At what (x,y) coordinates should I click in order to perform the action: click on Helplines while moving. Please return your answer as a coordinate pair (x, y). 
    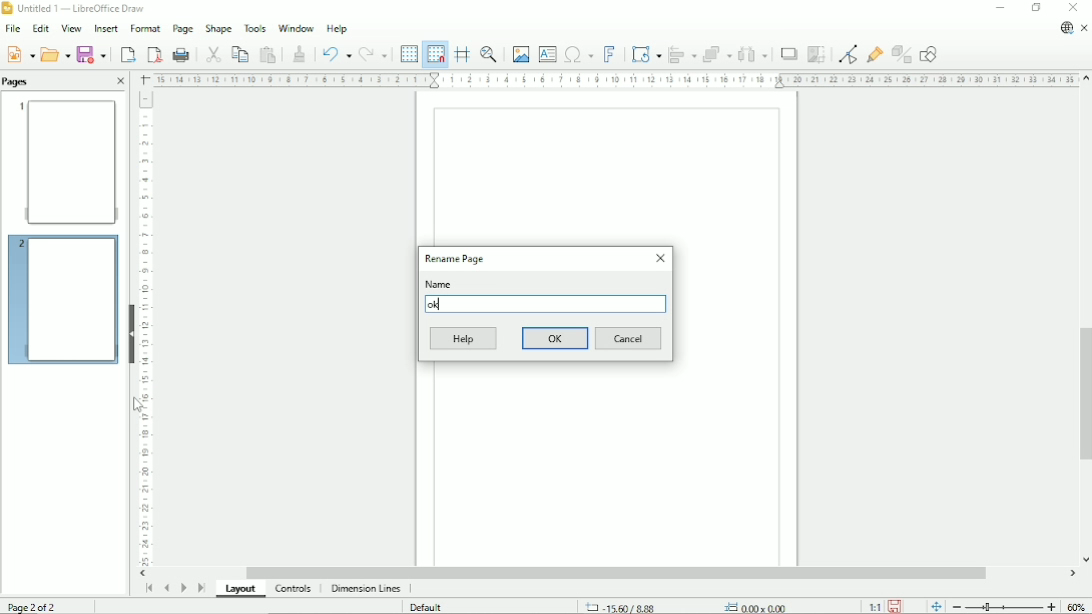
    Looking at the image, I should click on (462, 54).